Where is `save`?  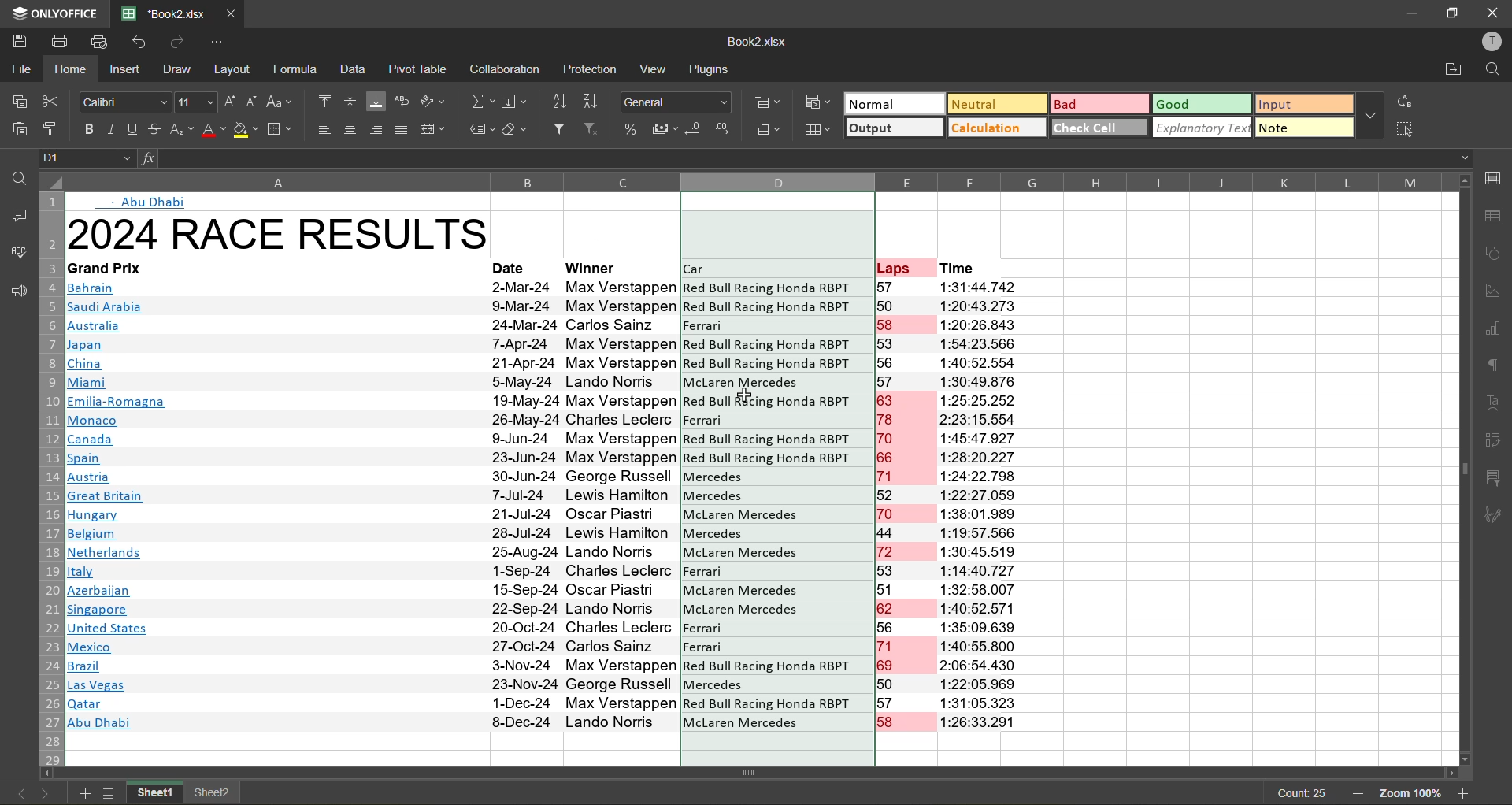 save is located at coordinates (15, 39).